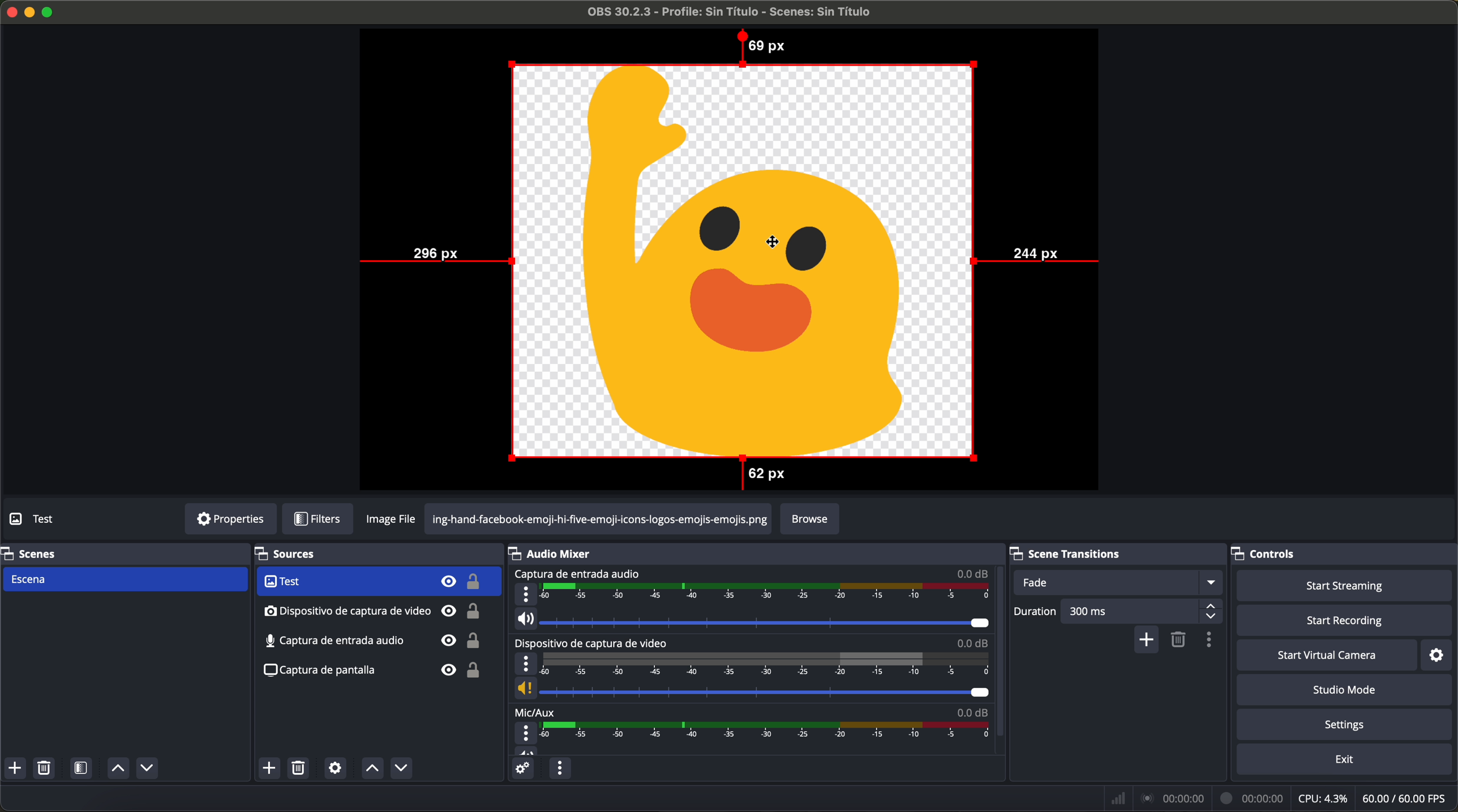 The width and height of the screenshot is (1458, 812). Describe the element at coordinates (1212, 641) in the screenshot. I see `transition properties` at that location.